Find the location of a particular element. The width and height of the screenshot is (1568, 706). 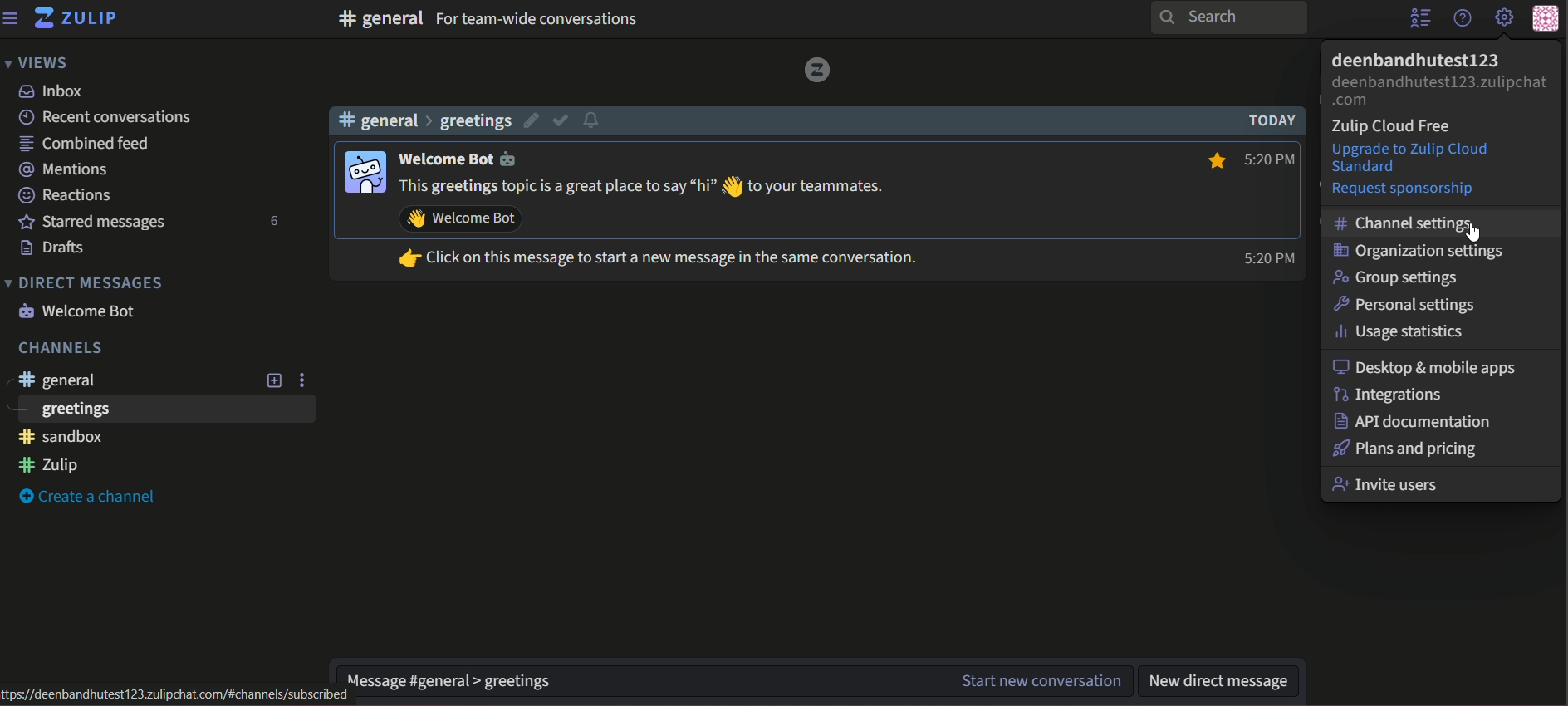

channel is located at coordinates (428, 121).